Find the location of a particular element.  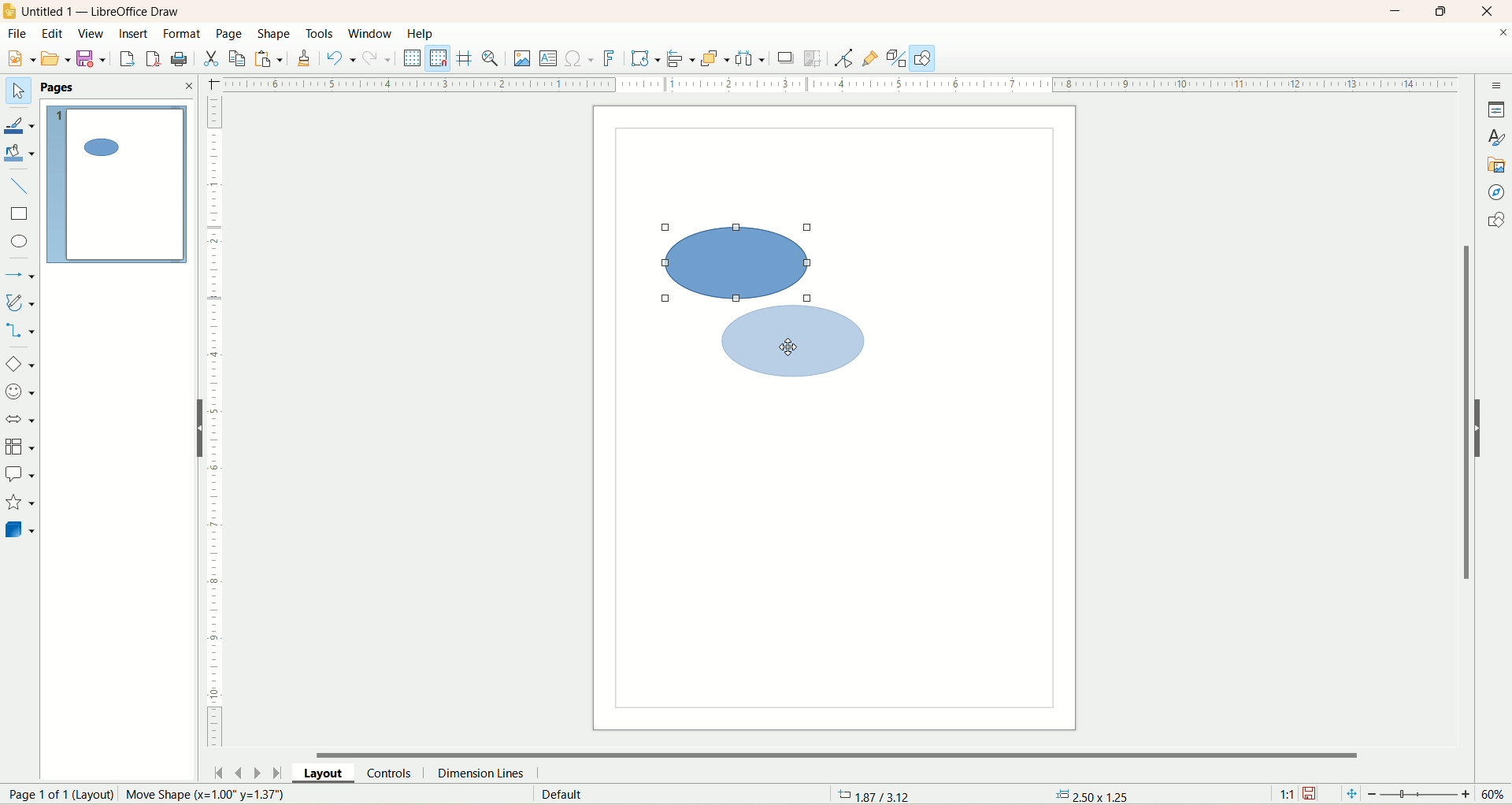

minimize is located at coordinates (1399, 9).